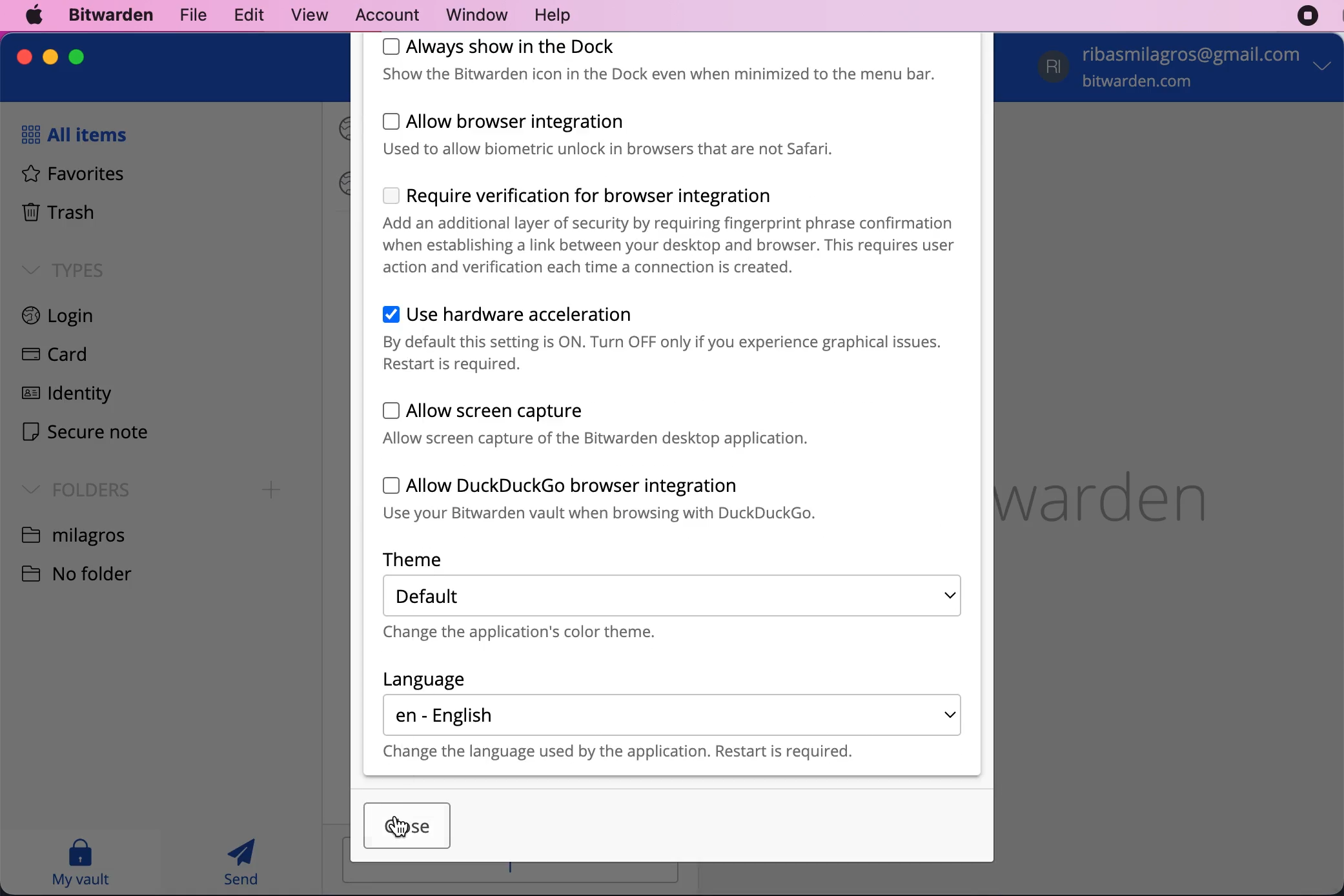 The height and width of the screenshot is (896, 1344). I want to click on trash, so click(57, 214).